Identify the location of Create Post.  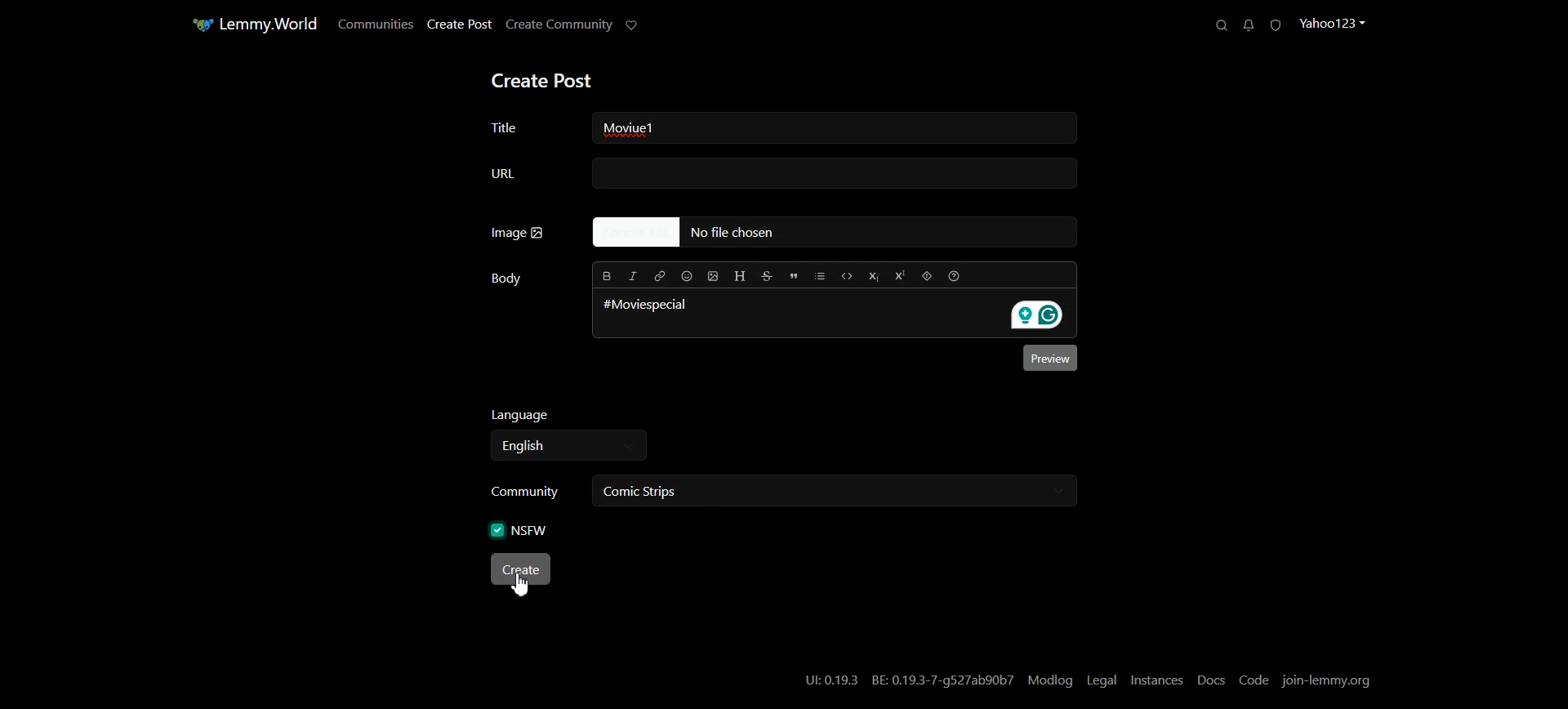
(545, 79).